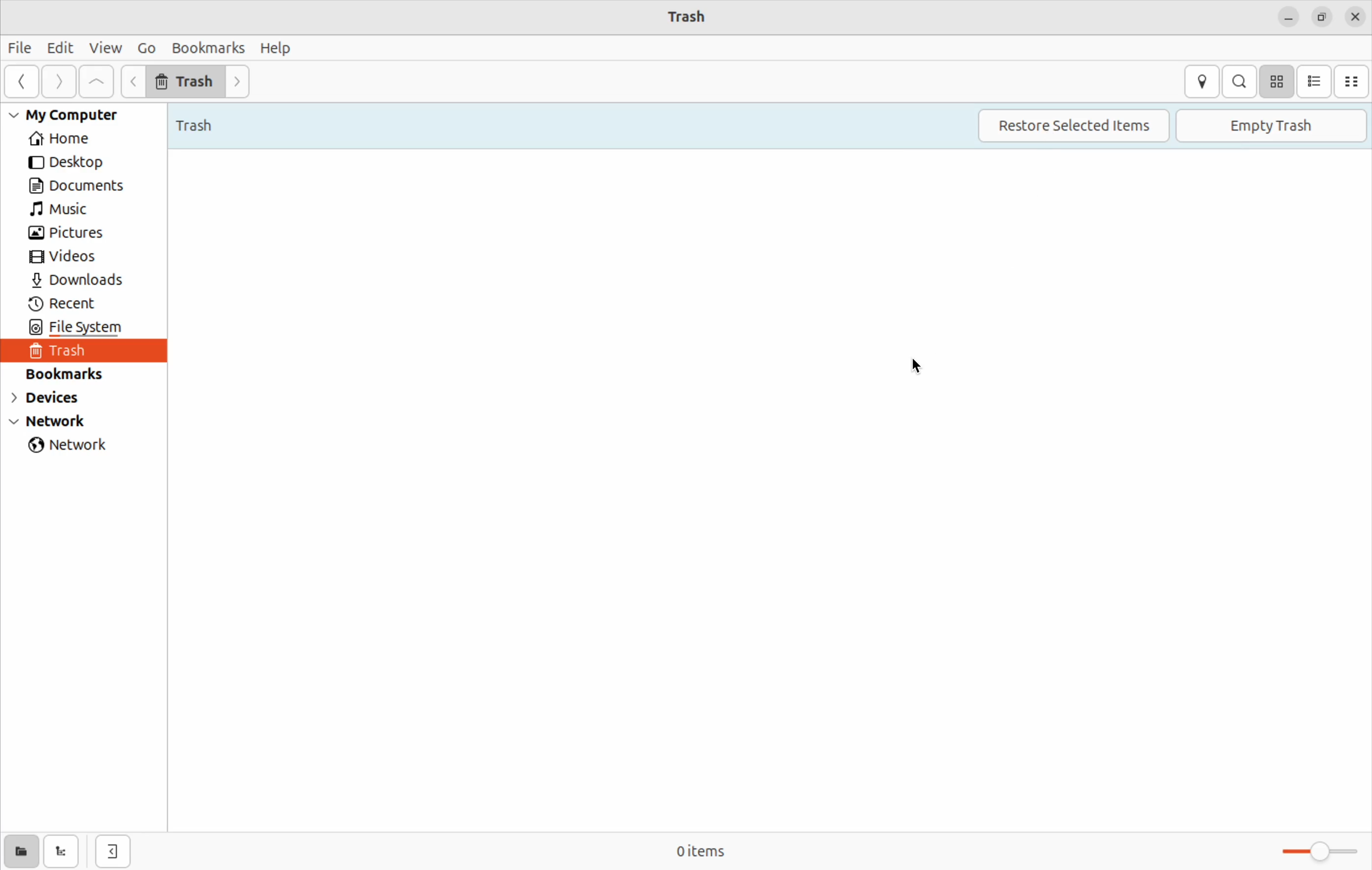  I want to click on Go, so click(146, 47).